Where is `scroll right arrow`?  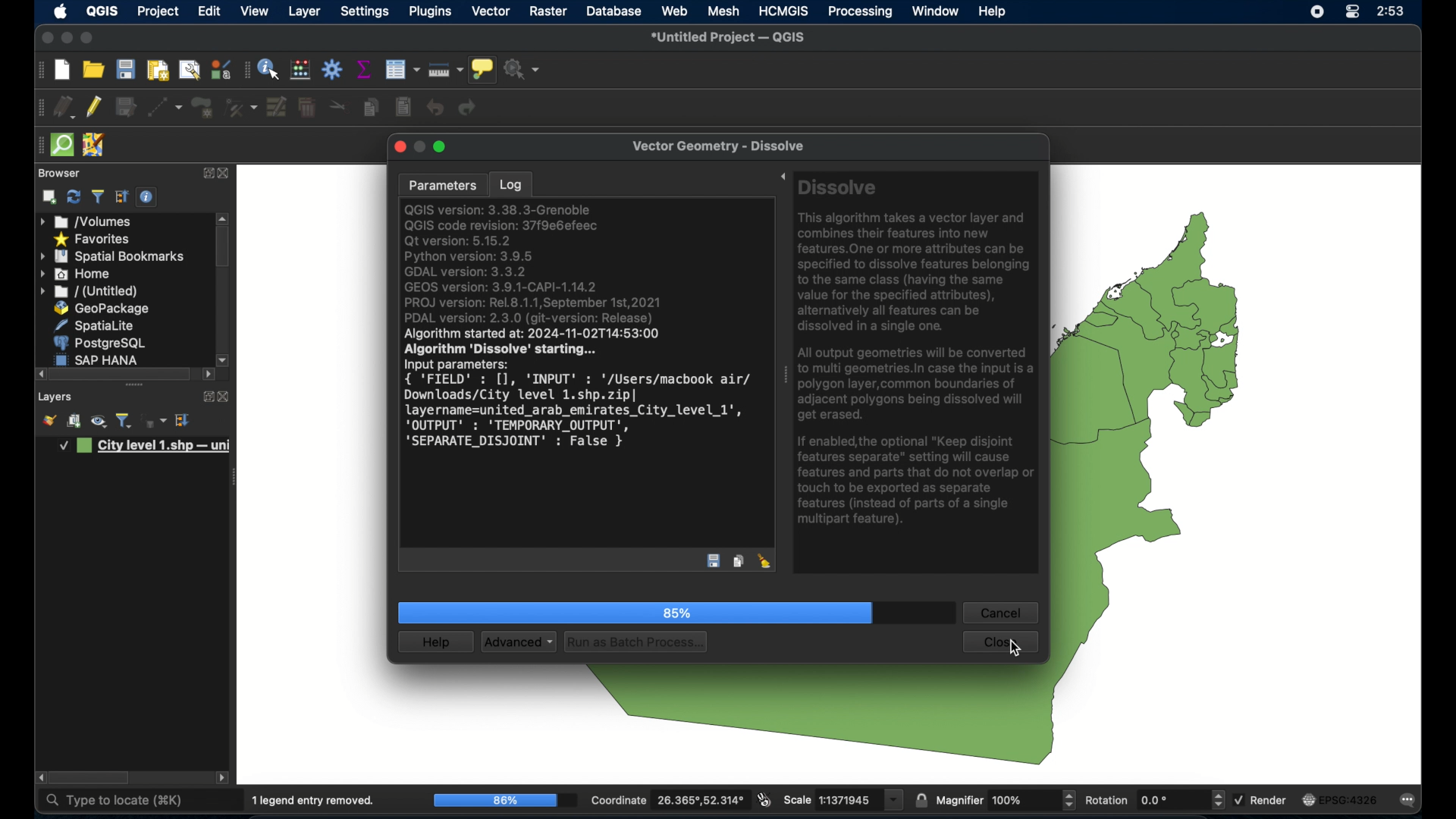
scroll right arrow is located at coordinates (224, 359).